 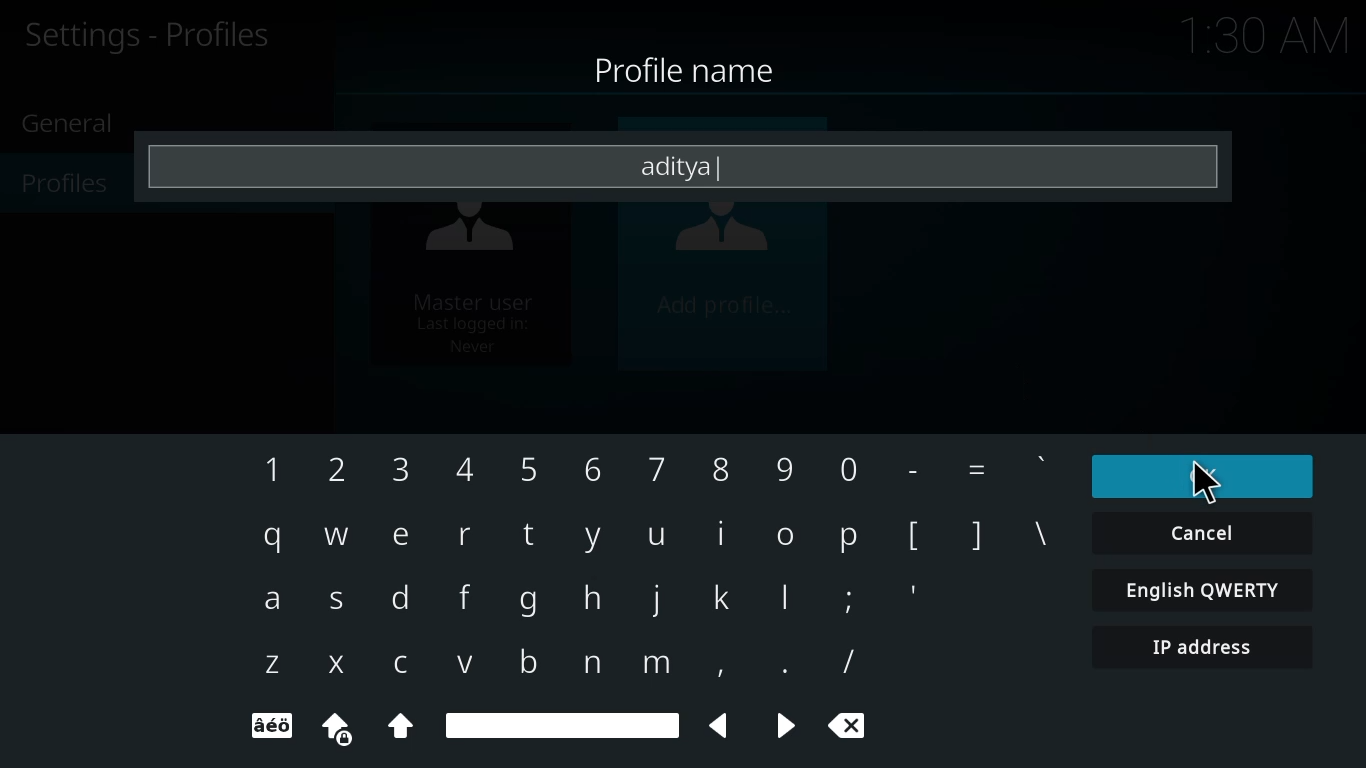 I want to click on spacebar, so click(x=556, y=729).